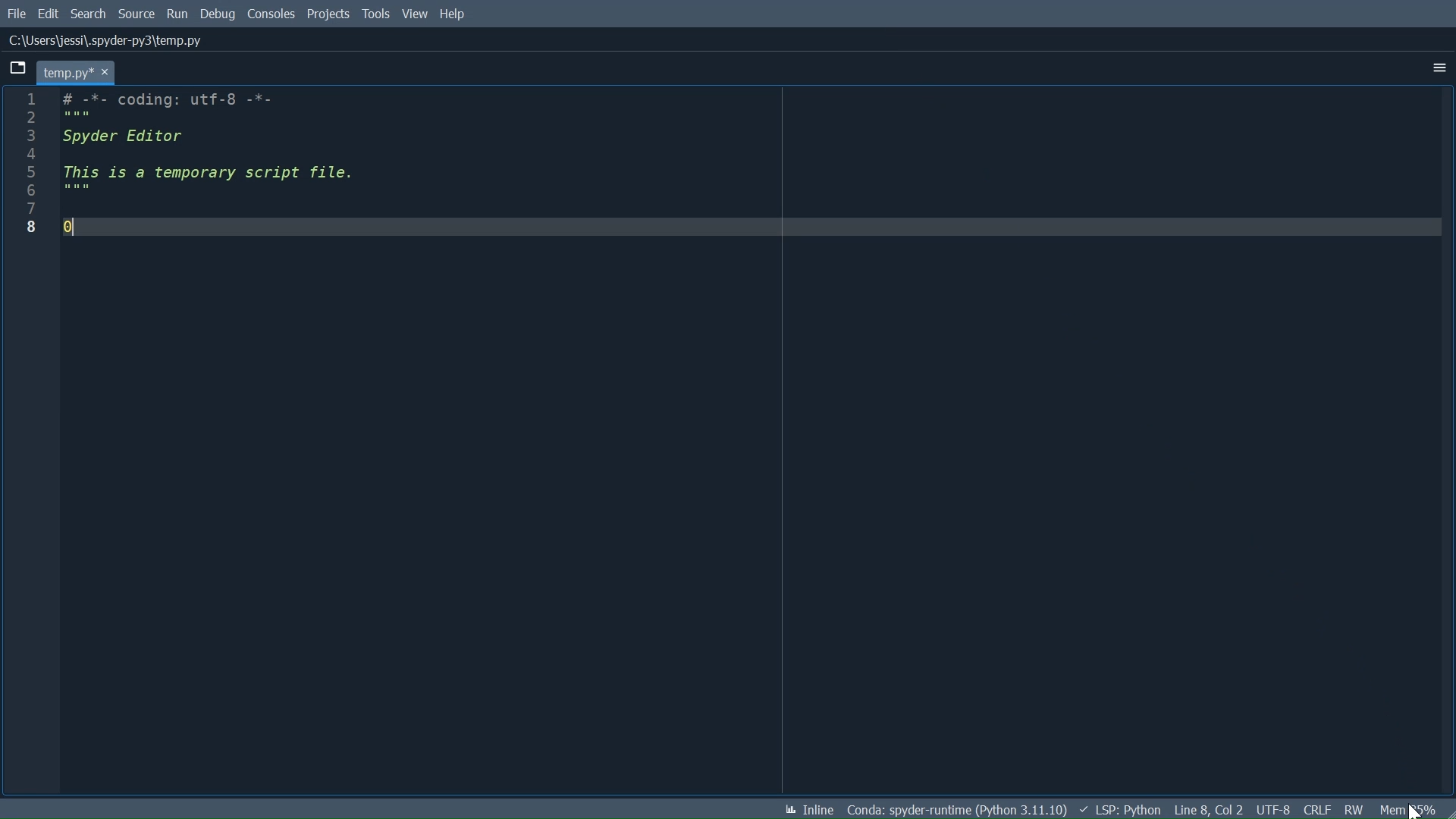 Image resolution: width=1456 pixels, height=819 pixels. What do you see at coordinates (375, 14) in the screenshot?
I see `Tools` at bounding box center [375, 14].